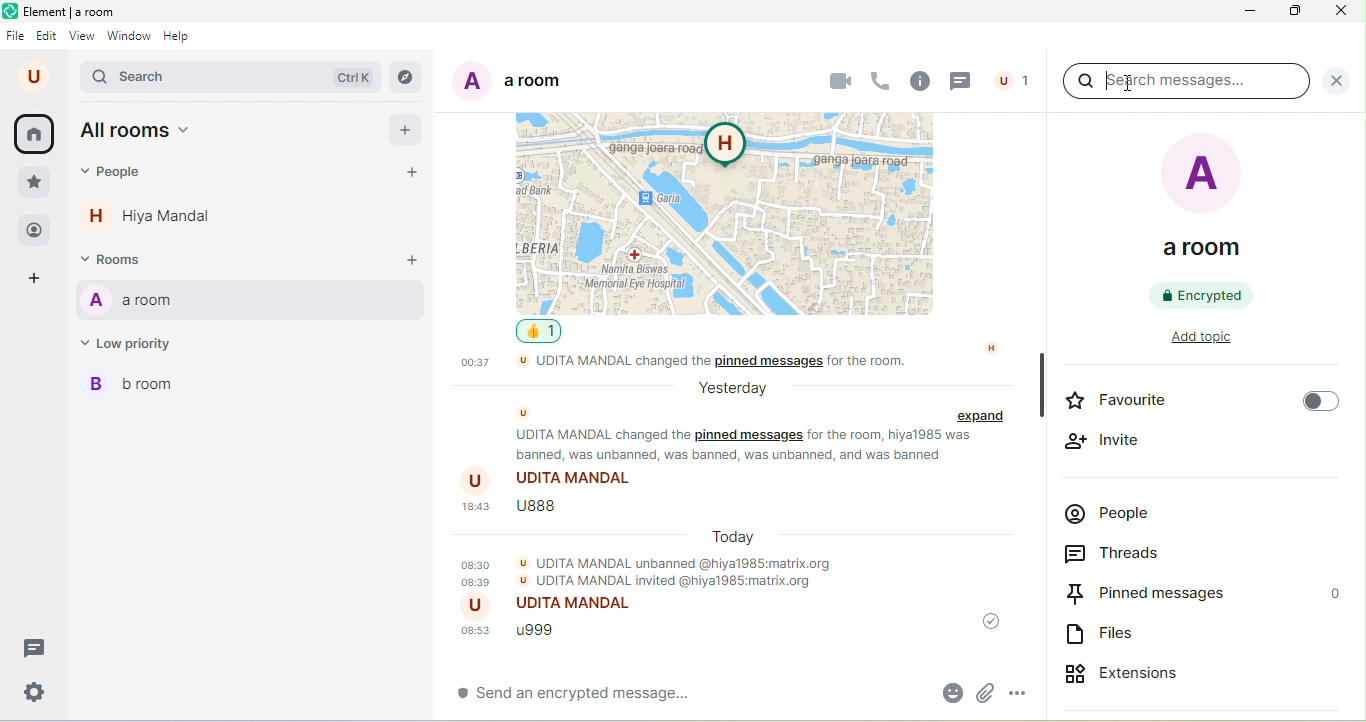  I want to click on files, so click(1107, 636).